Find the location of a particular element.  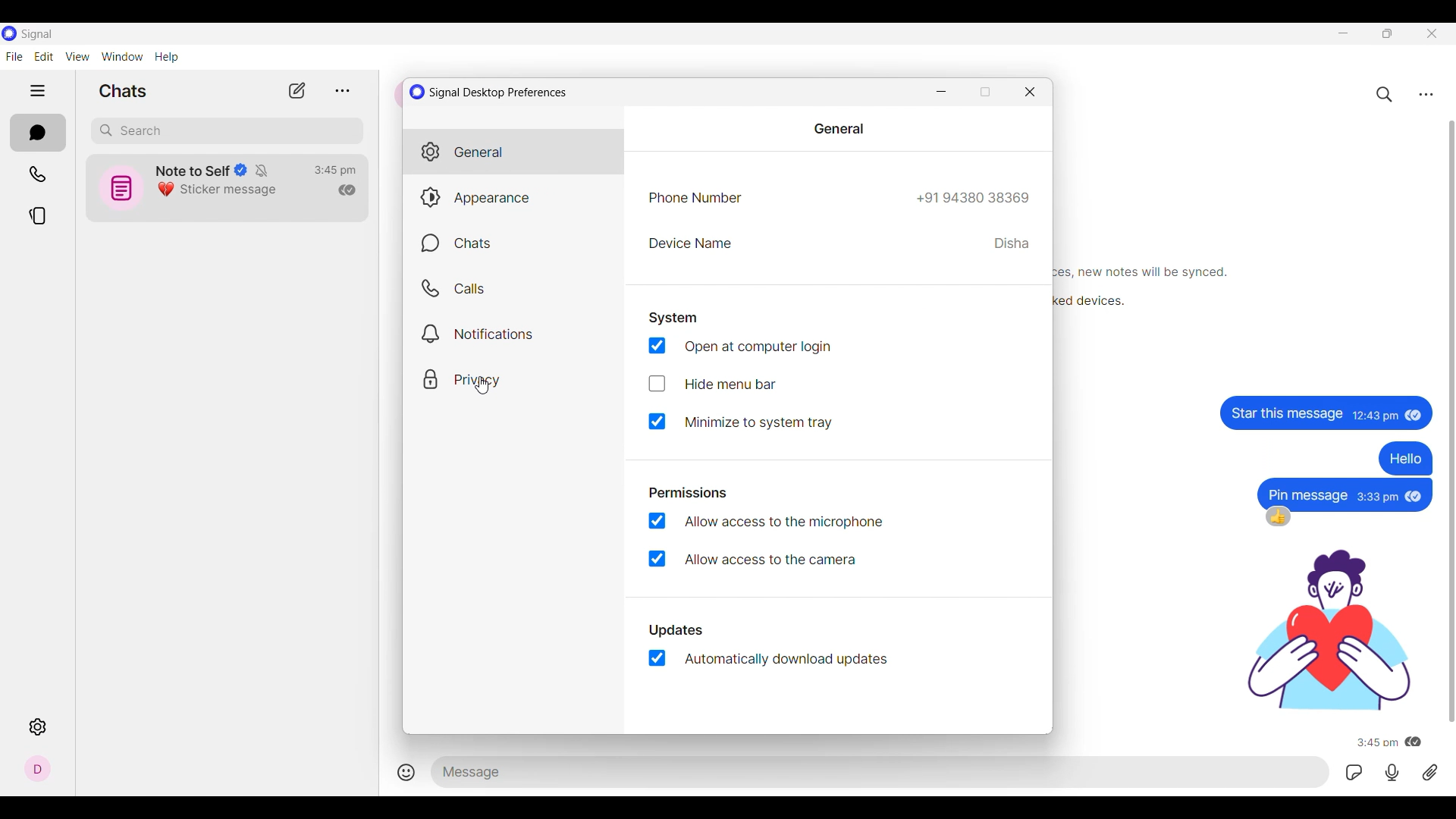

updates is located at coordinates (677, 630).